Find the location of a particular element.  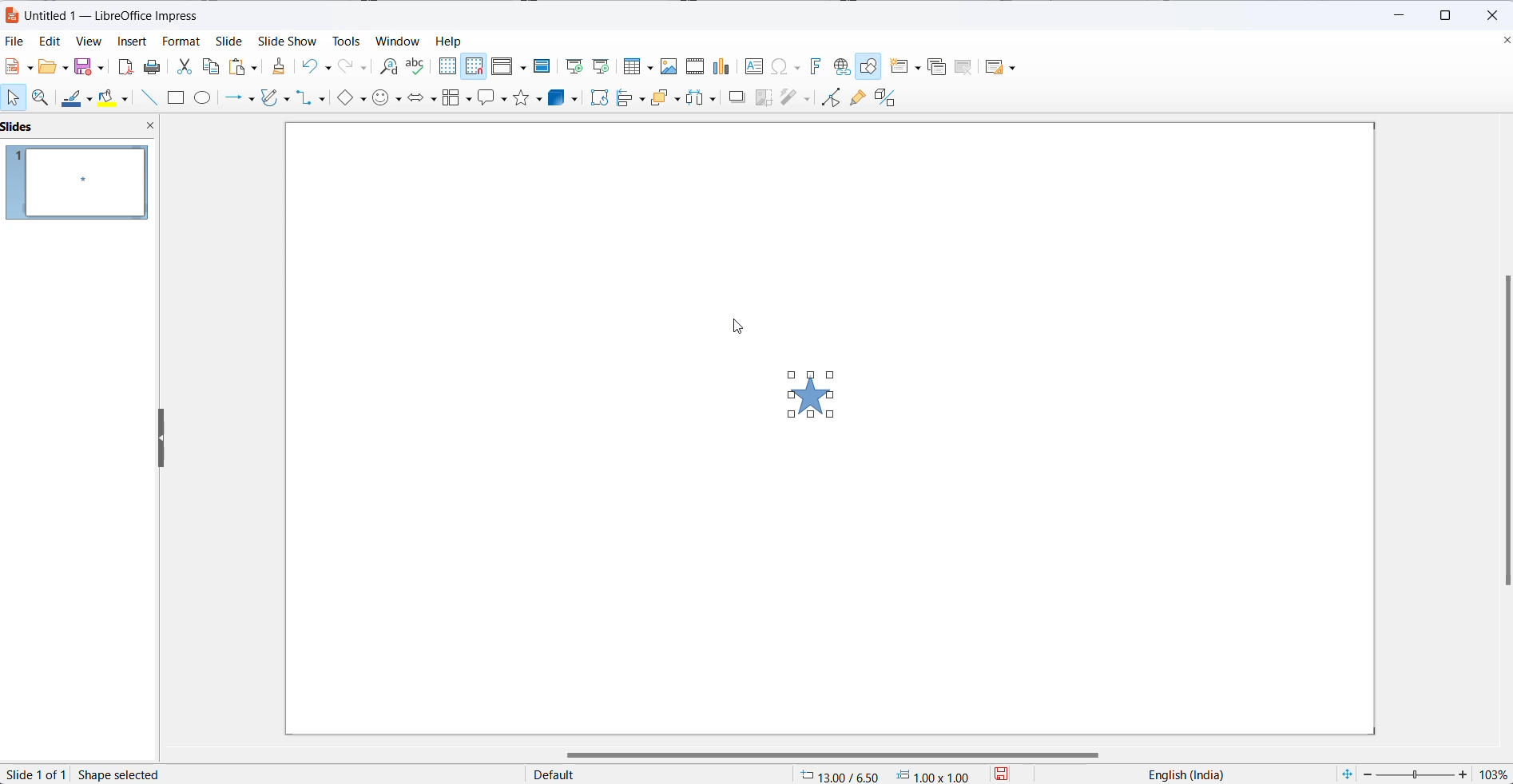

basic shapes is located at coordinates (354, 99).